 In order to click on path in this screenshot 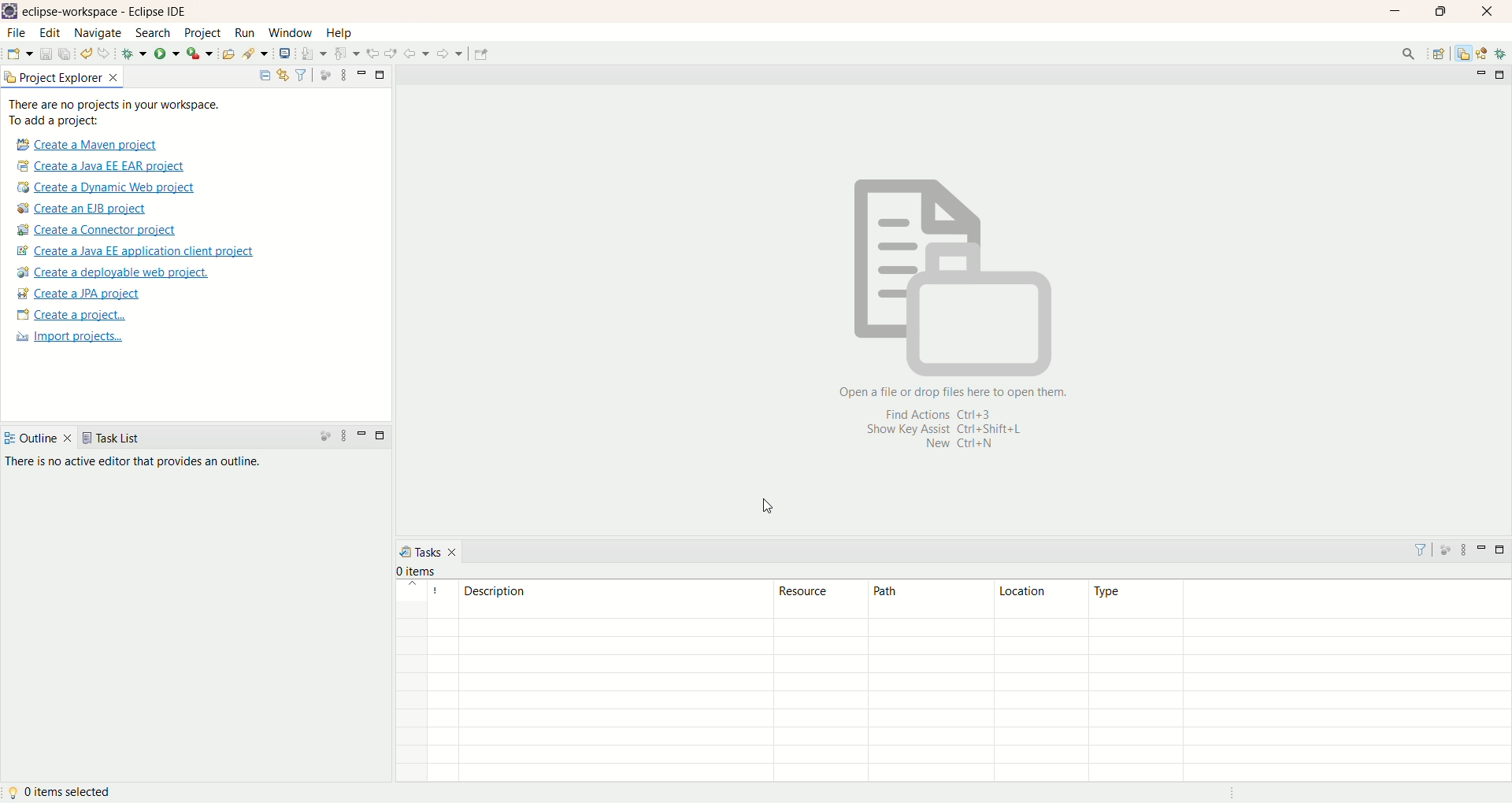, I will do `click(930, 683)`.